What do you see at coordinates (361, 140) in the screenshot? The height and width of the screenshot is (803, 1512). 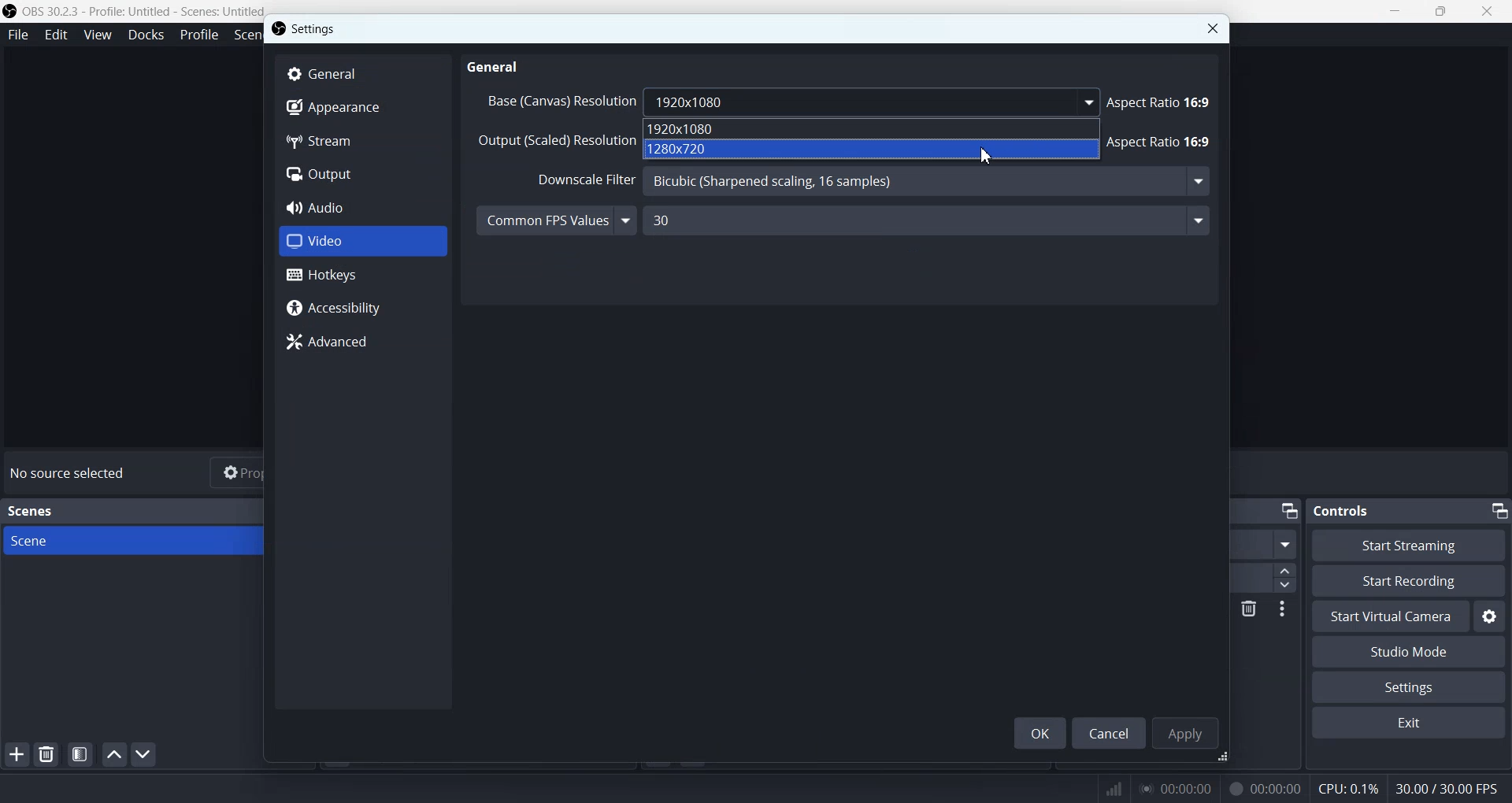 I see `Stream` at bounding box center [361, 140].